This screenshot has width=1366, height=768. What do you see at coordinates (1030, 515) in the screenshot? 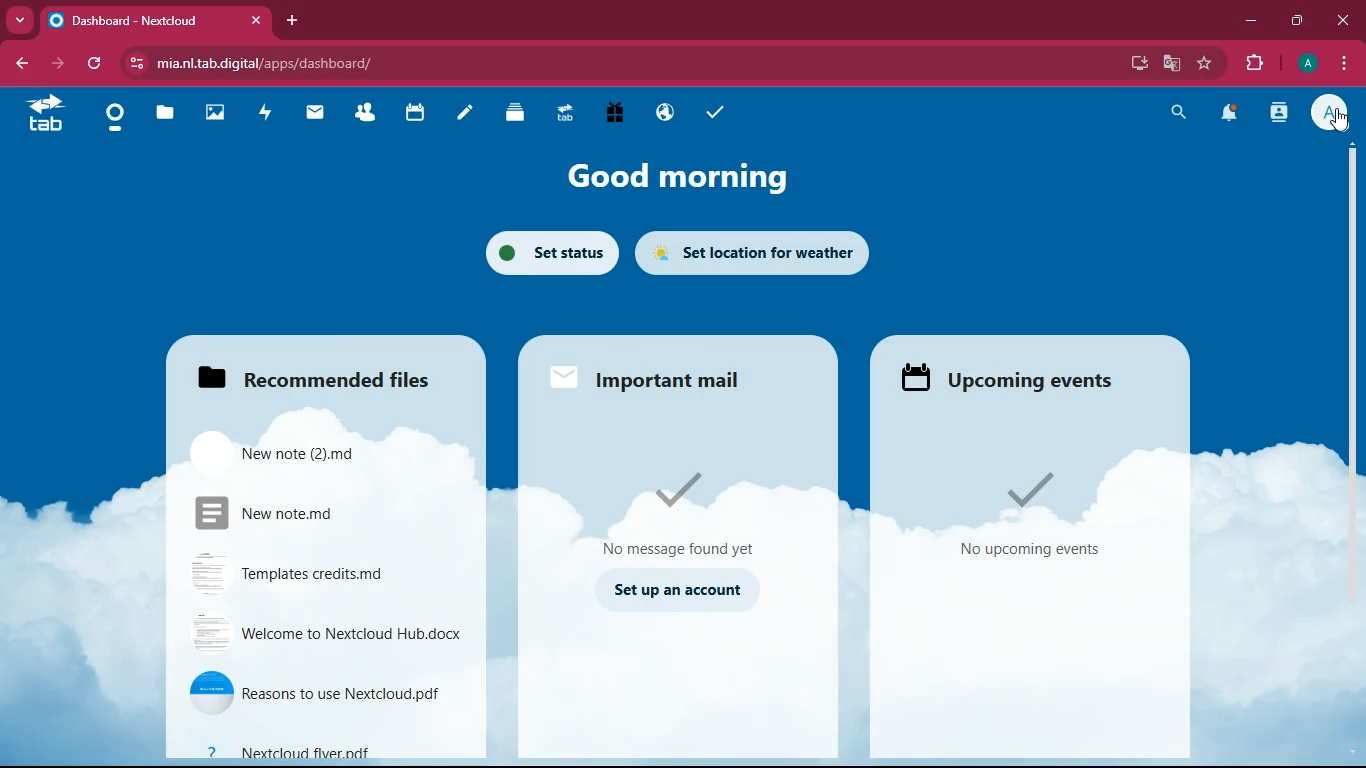
I see `events` at bounding box center [1030, 515].